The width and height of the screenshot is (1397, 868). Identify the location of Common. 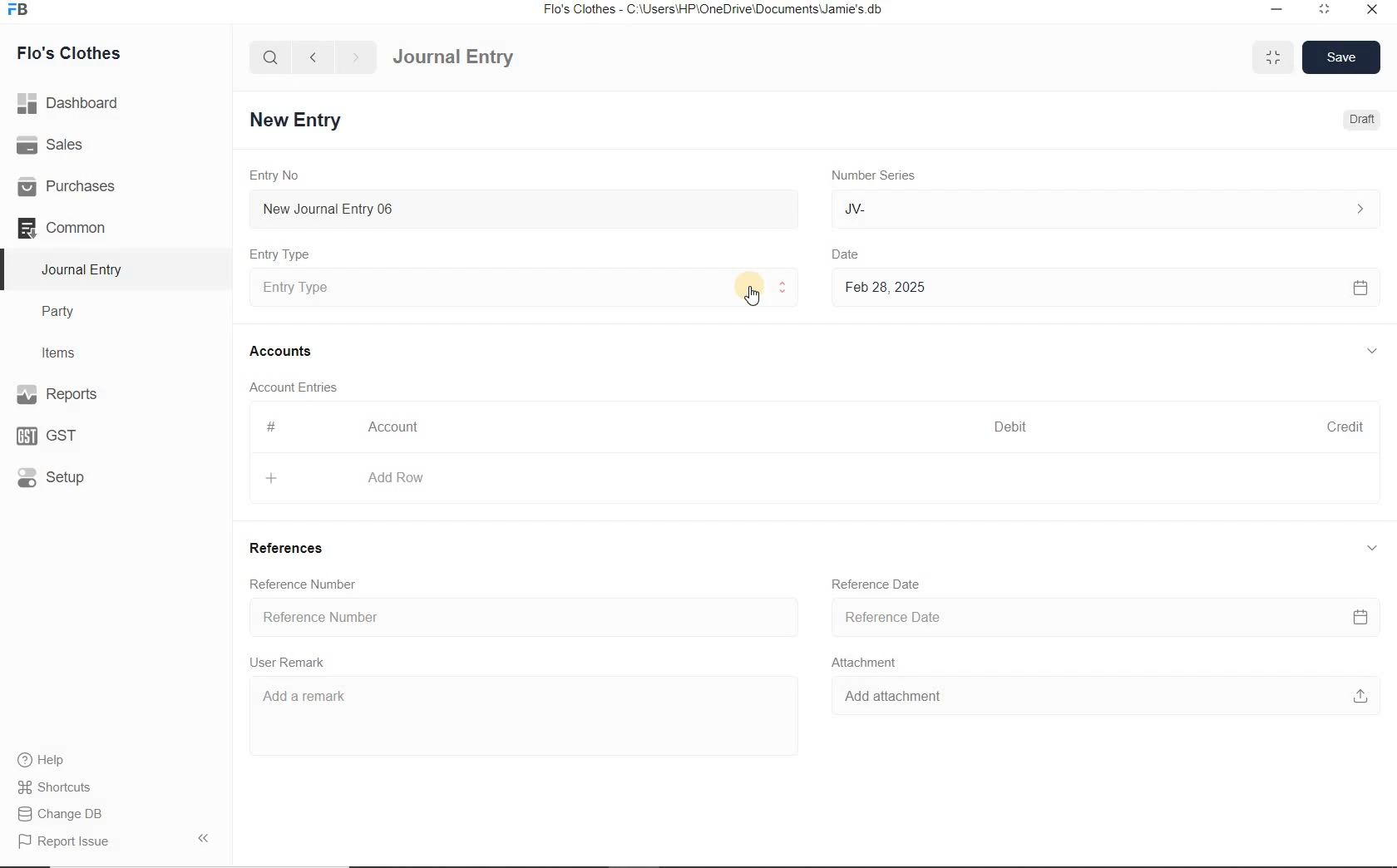
(81, 227).